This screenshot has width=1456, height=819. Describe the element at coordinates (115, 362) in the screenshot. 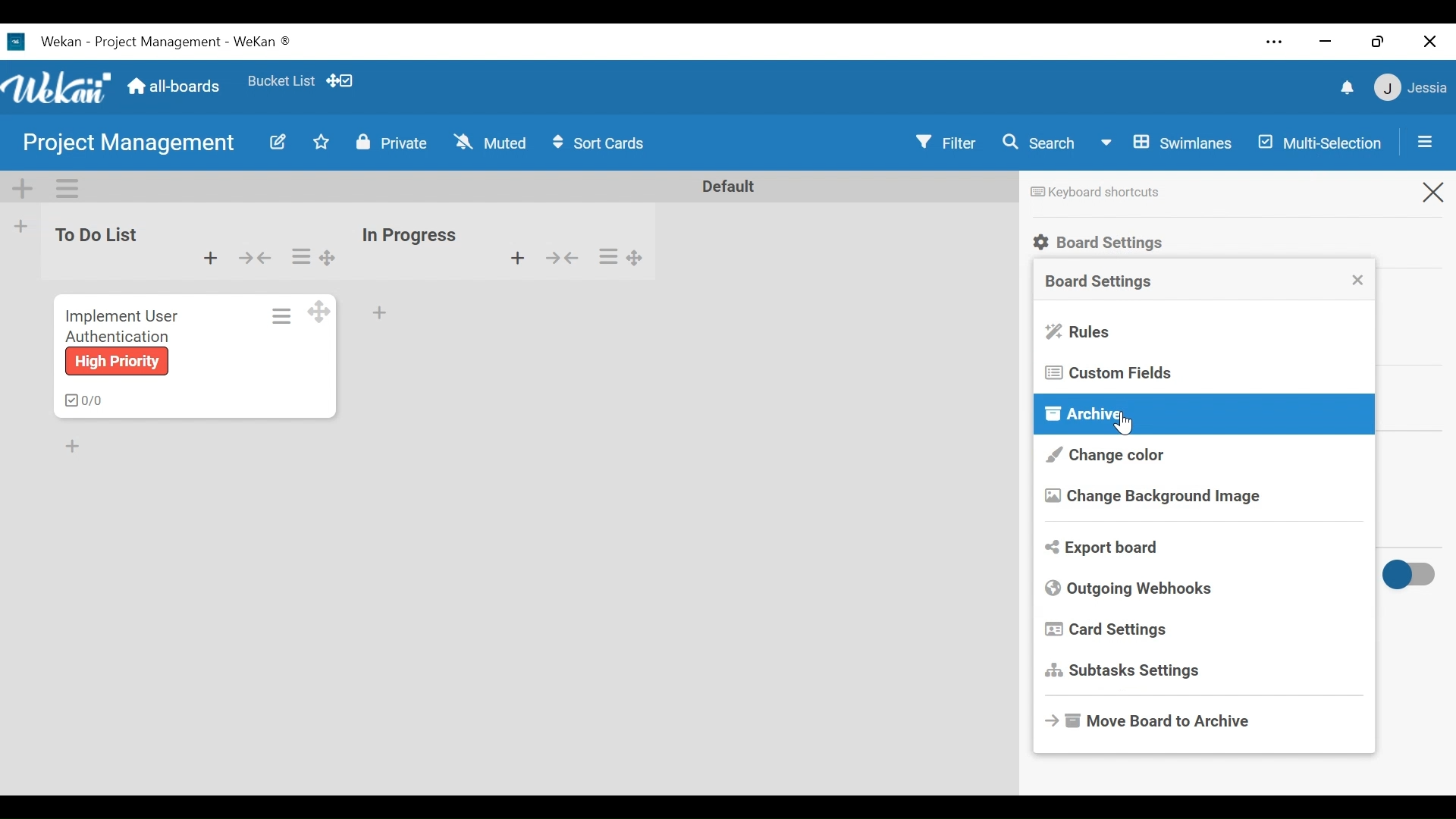

I see `high priority` at that location.